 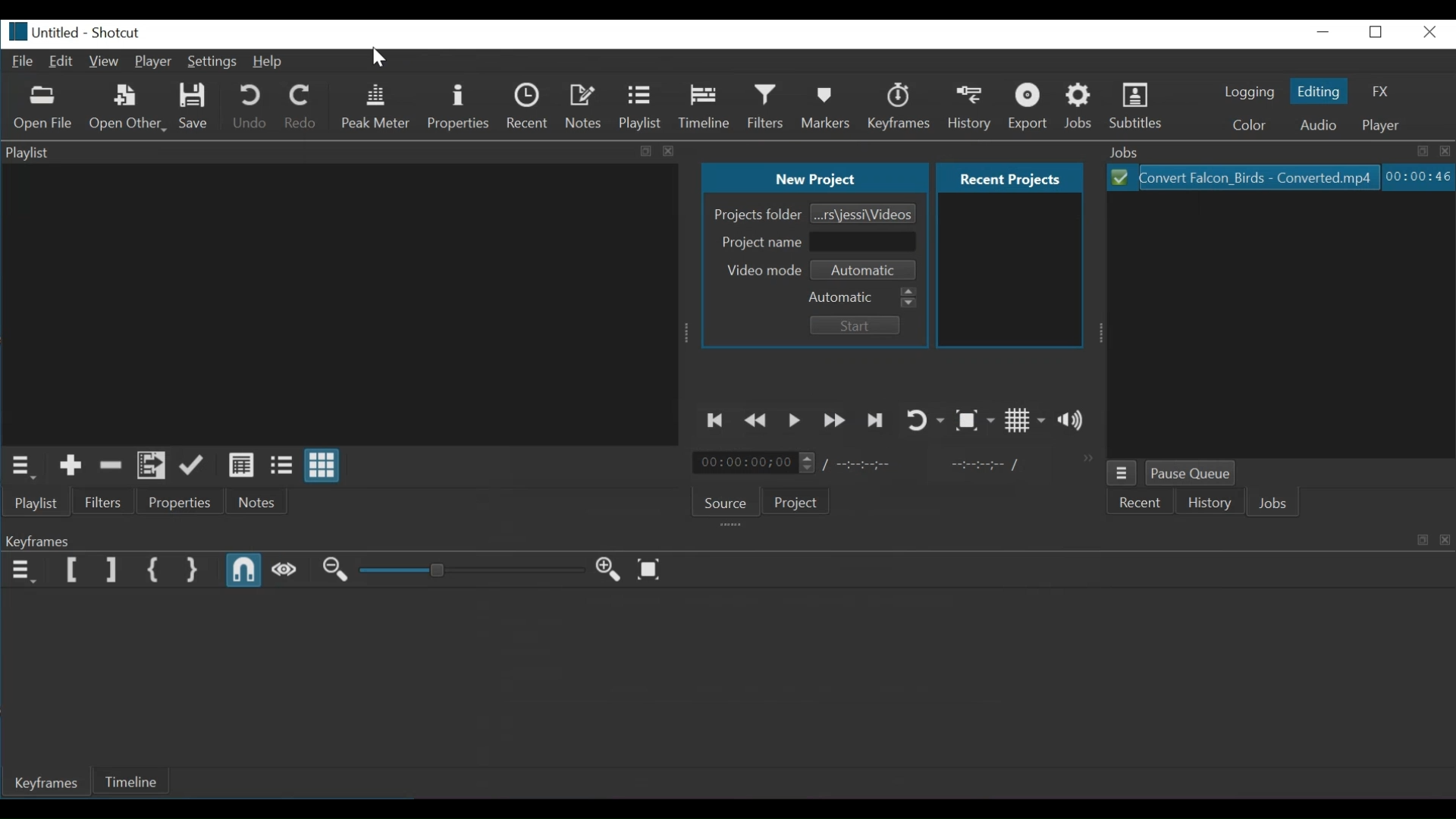 What do you see at coordinates (1282, 502) in the screenshot?
I see `Jobs` at bounding box center [1282, 502].